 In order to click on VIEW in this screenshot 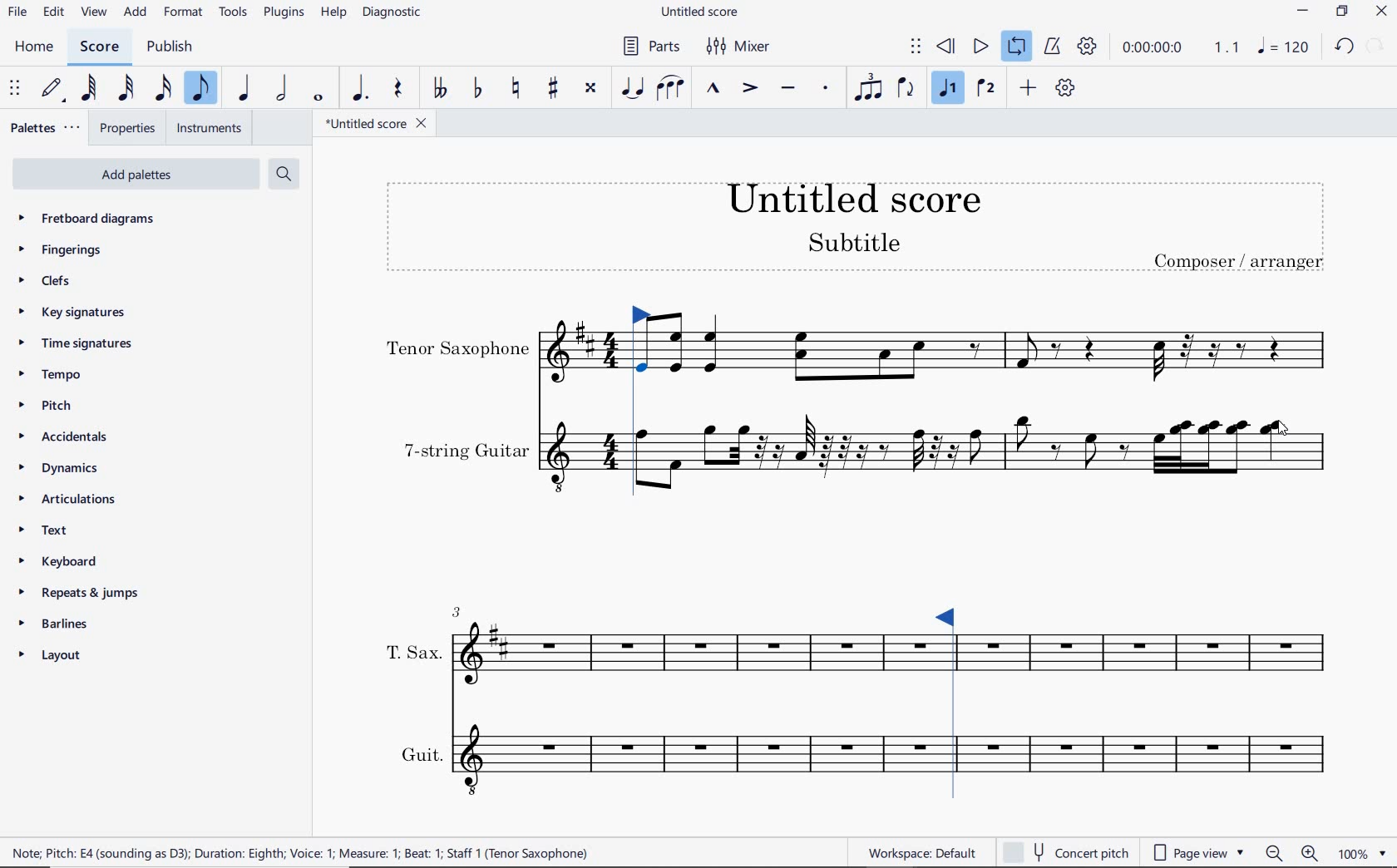, I will do `click(93, 12)`.